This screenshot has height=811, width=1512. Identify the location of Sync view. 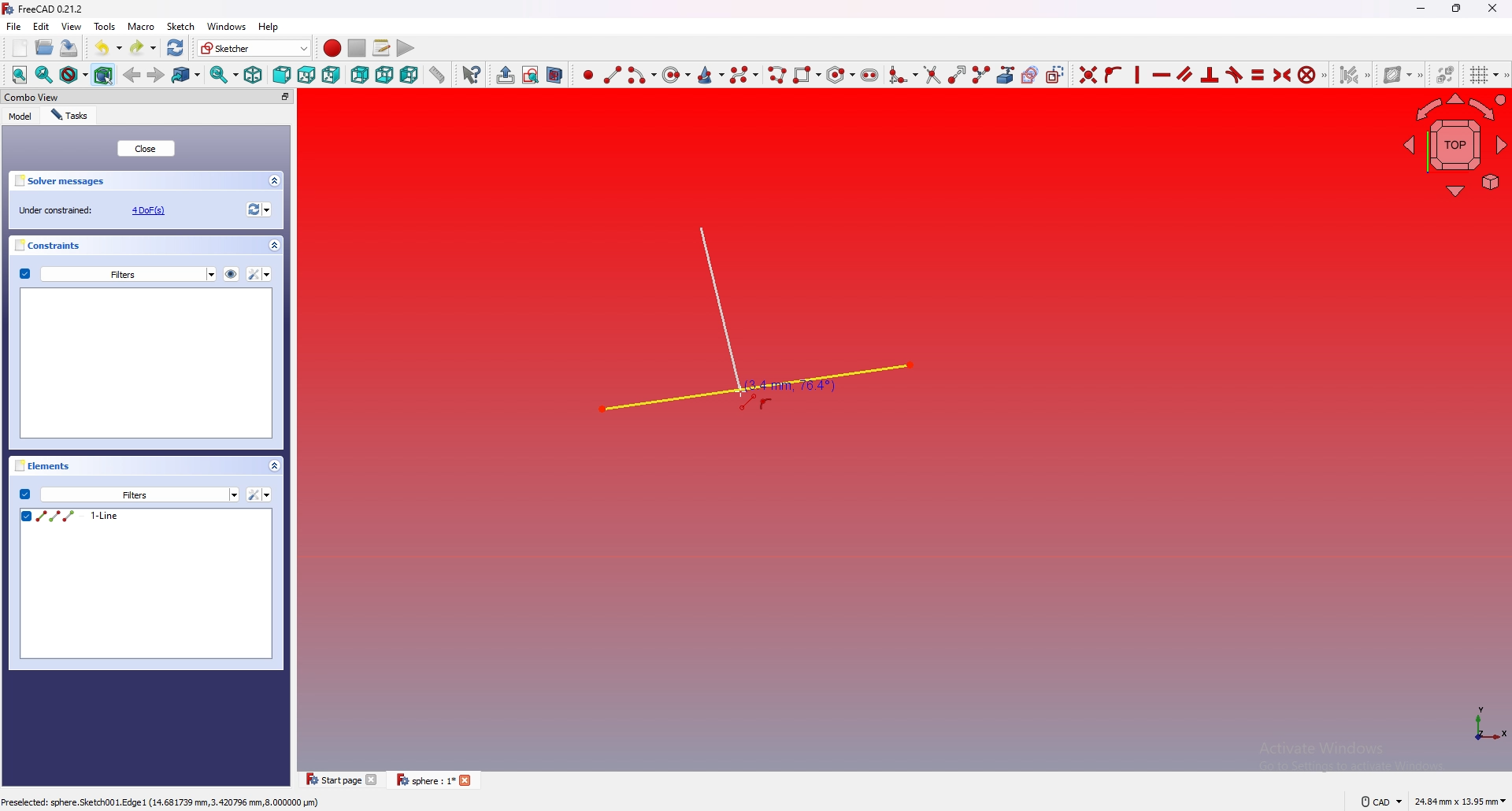
(222, 76).